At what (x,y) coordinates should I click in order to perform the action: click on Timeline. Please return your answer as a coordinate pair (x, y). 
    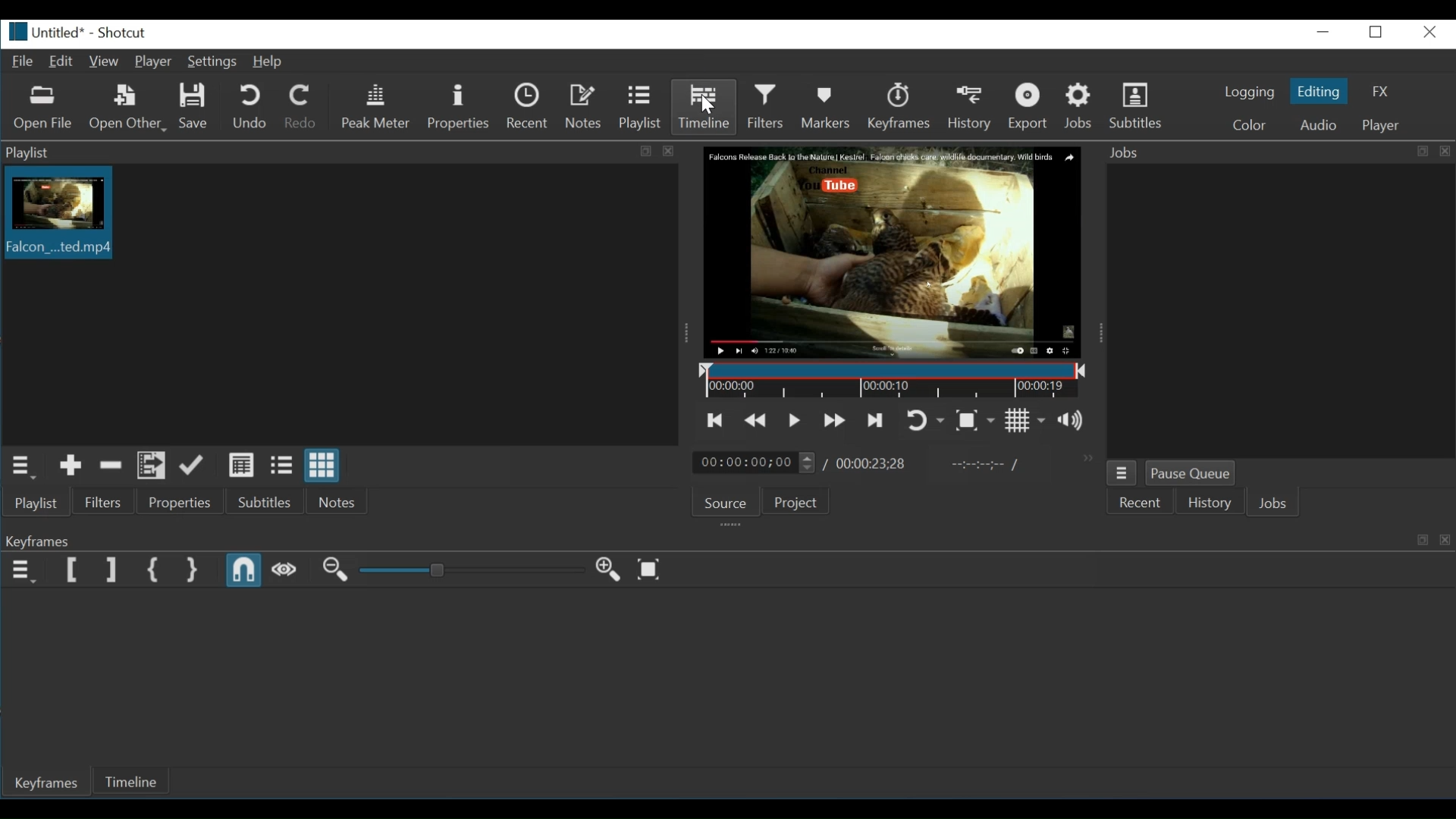
    Looking at the image, I should click on (704, 105).